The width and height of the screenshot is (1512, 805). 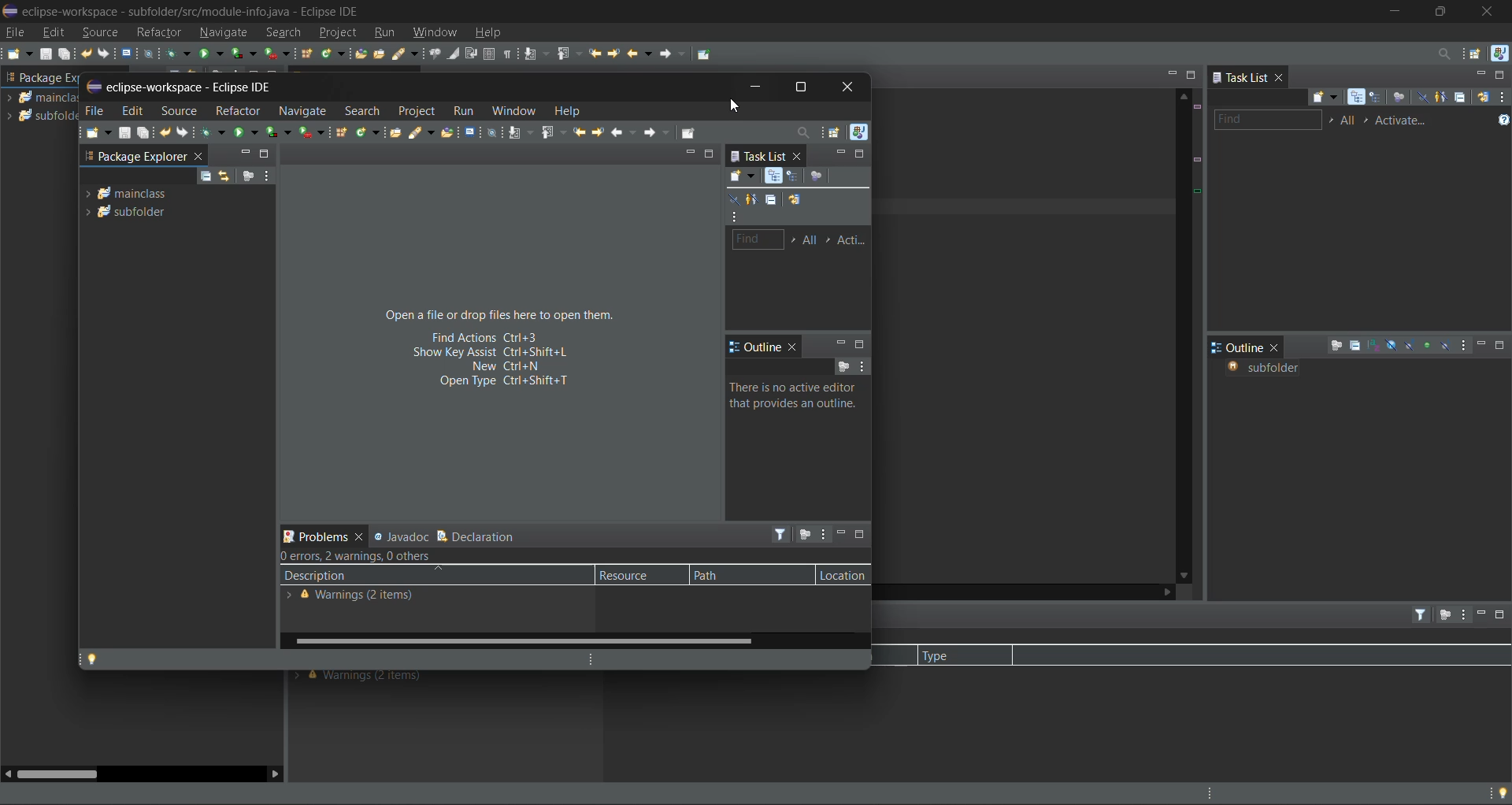 I want to click on window, so click(x=512, y=110).